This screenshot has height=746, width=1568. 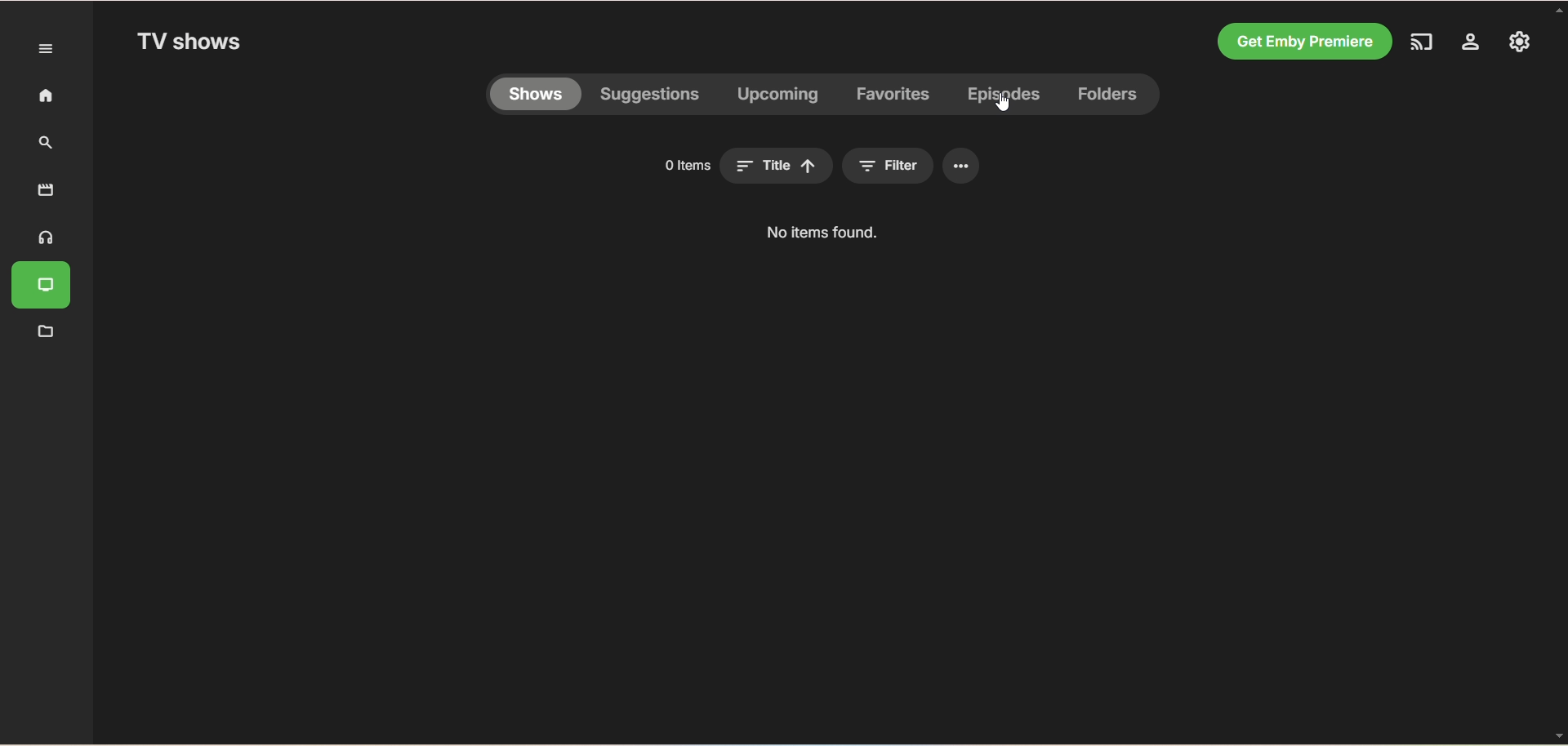 What do you see at coordinates (1428, 44) in the screenshot?
I see `play on another device` at bounding box center [1428, 44].